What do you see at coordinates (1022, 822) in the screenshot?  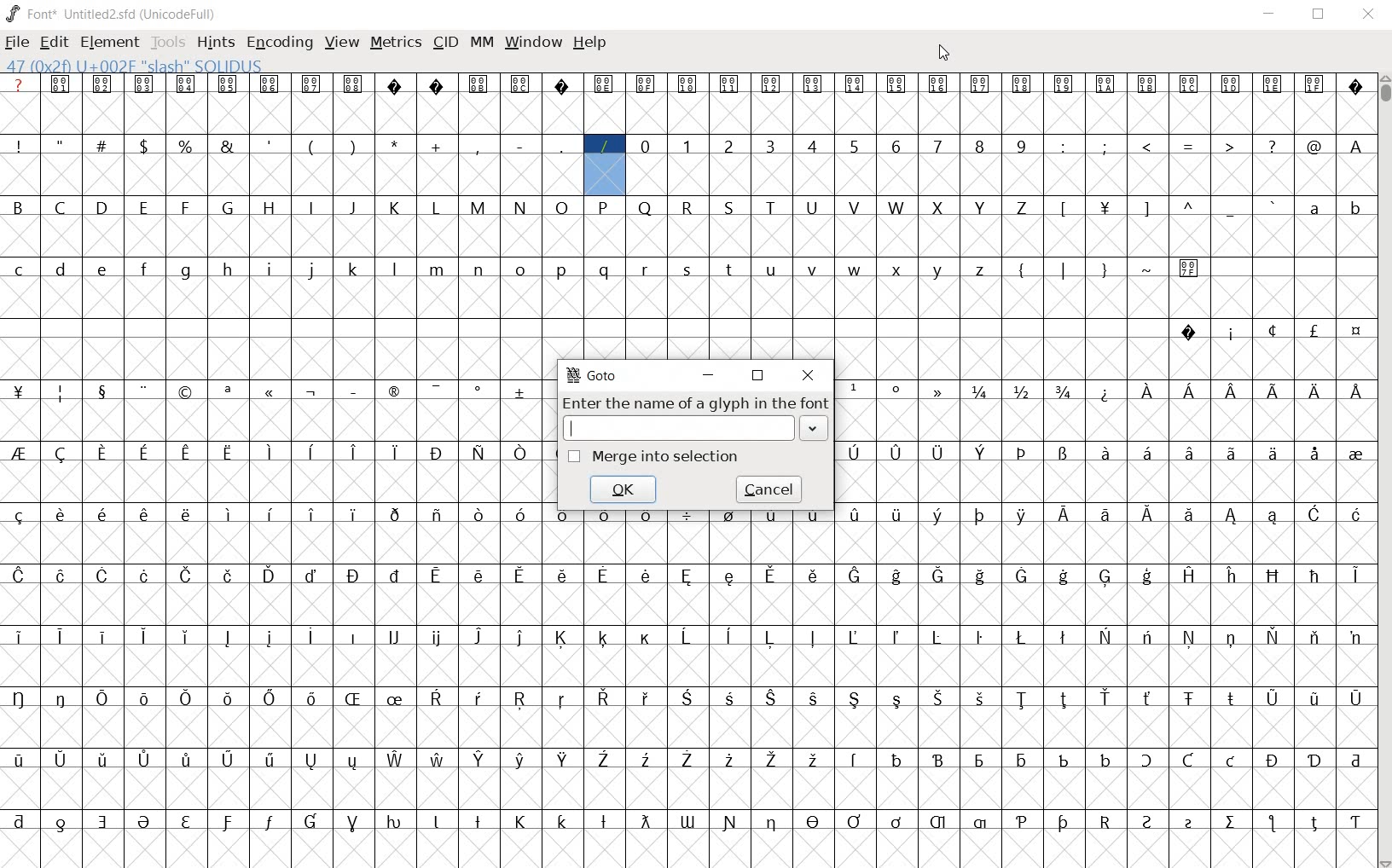 I see `glyph` at bounding box center [1022, 822].